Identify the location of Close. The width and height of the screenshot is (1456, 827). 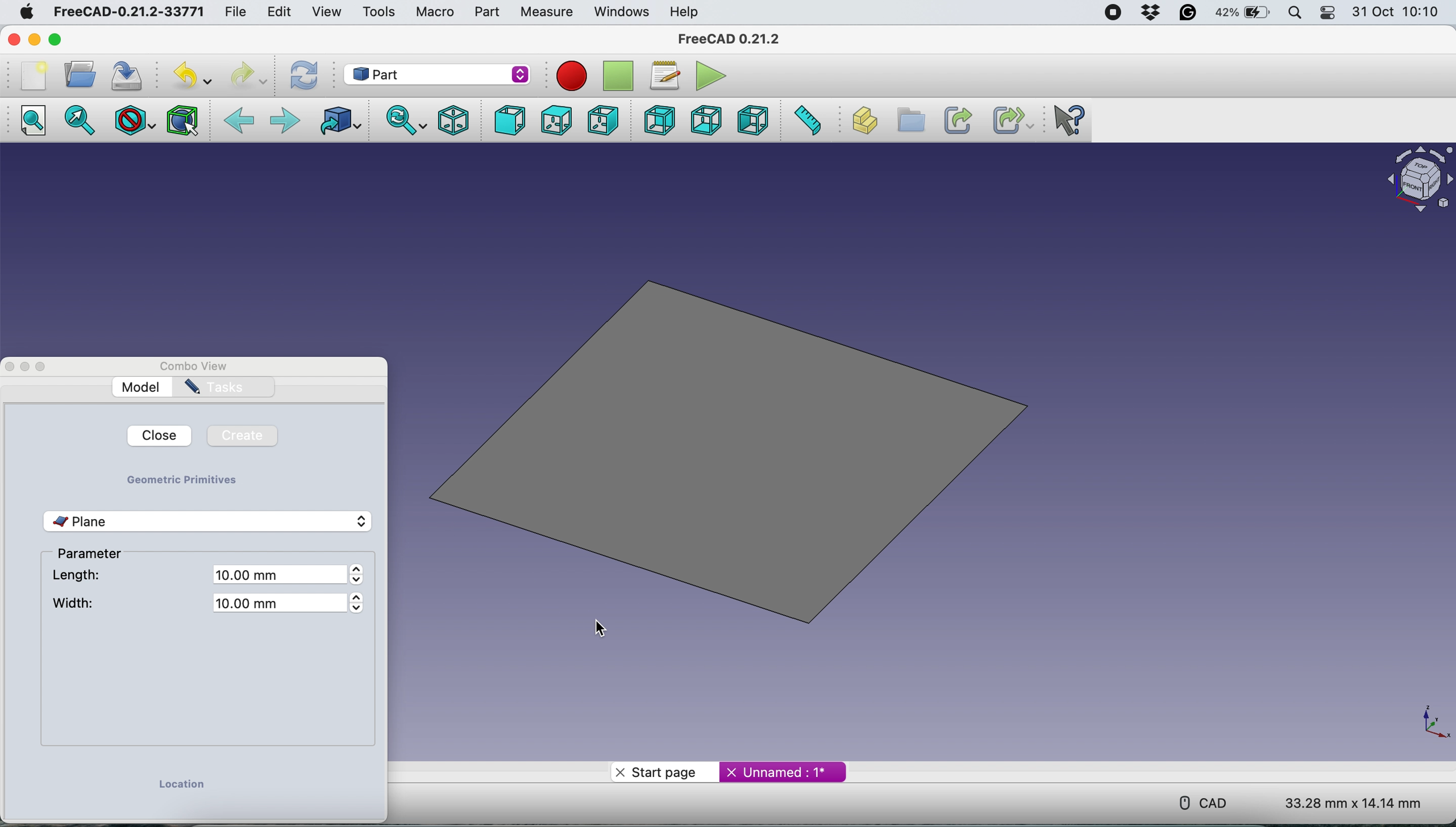
(10, 365).